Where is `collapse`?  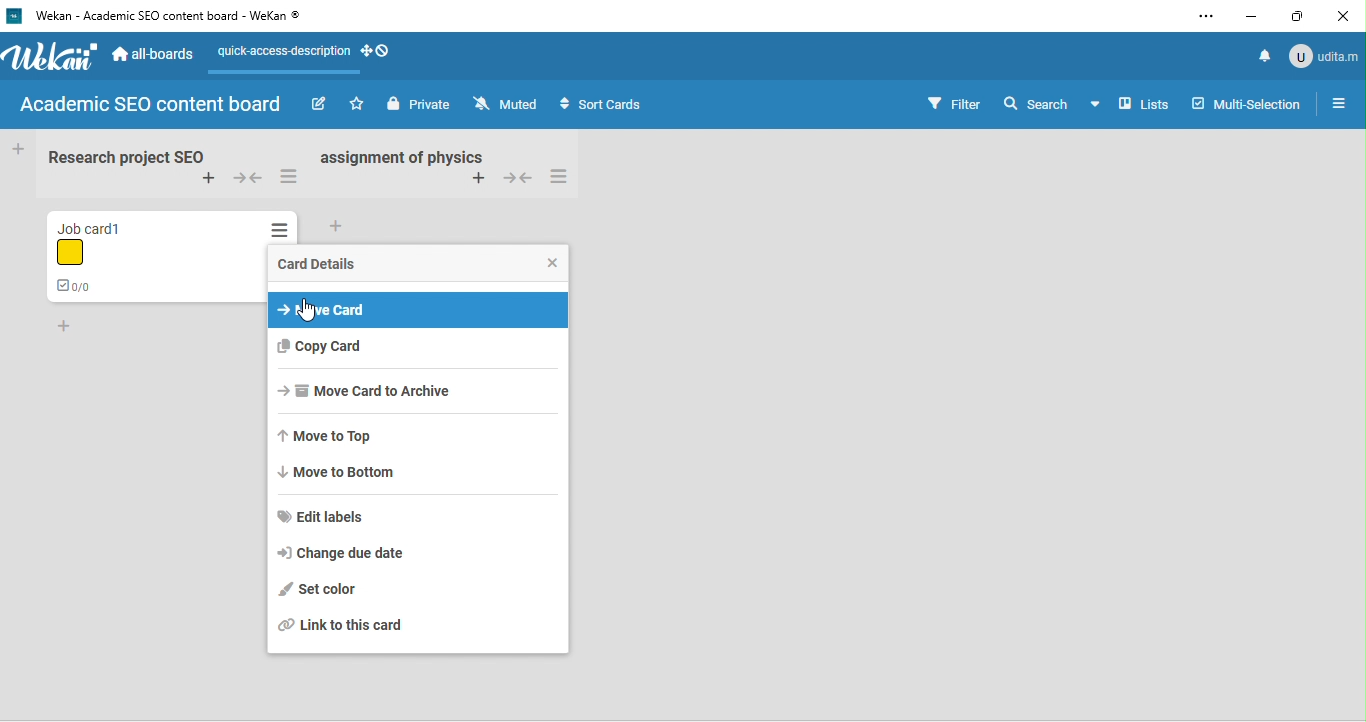
collapse is located at coordinates (522, 179).